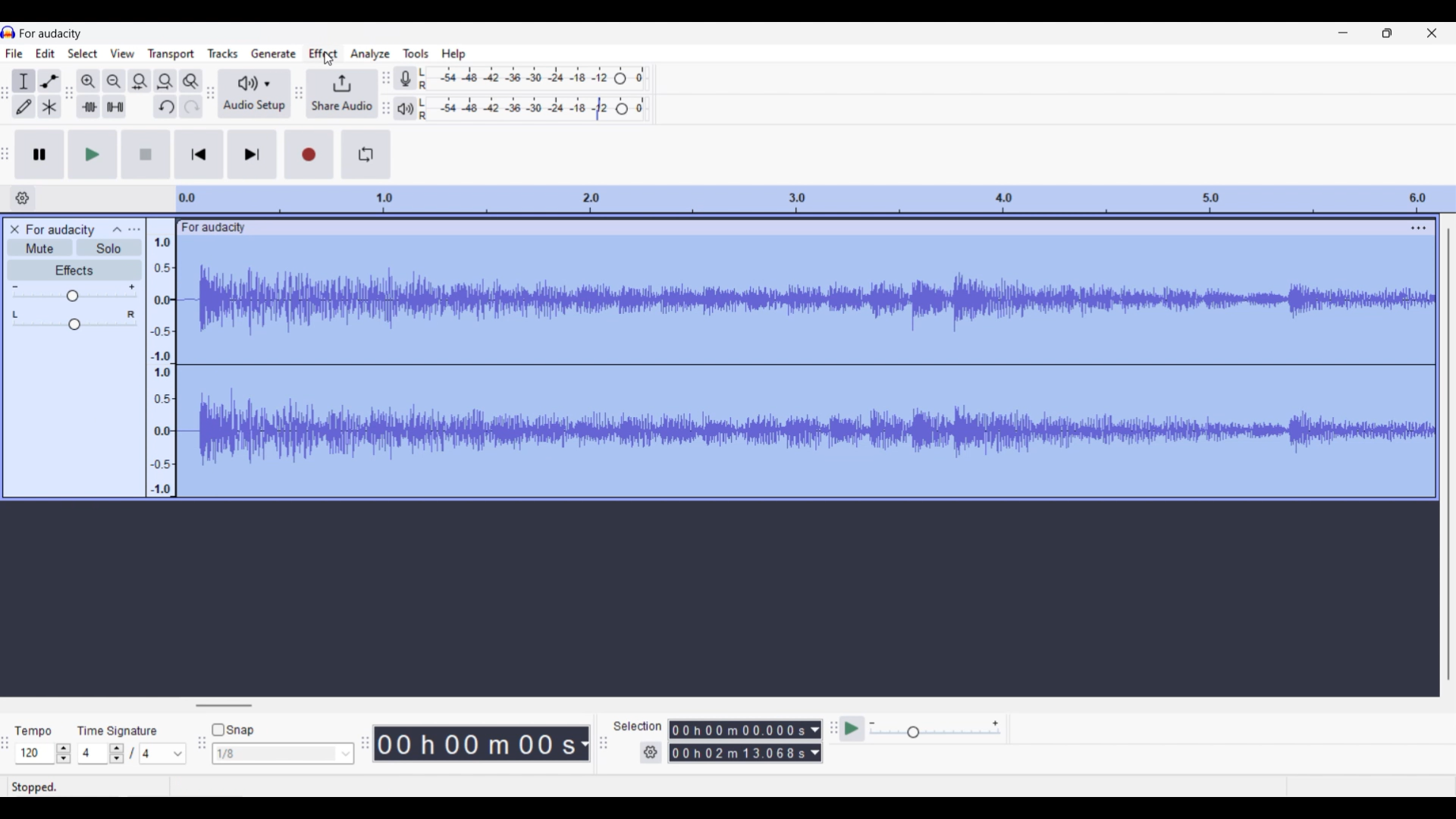 The height and width of the screenshot is (819, 1456). Describe the element at coordinates (146, 154) in the screenshot. I see `Stop` at that location.